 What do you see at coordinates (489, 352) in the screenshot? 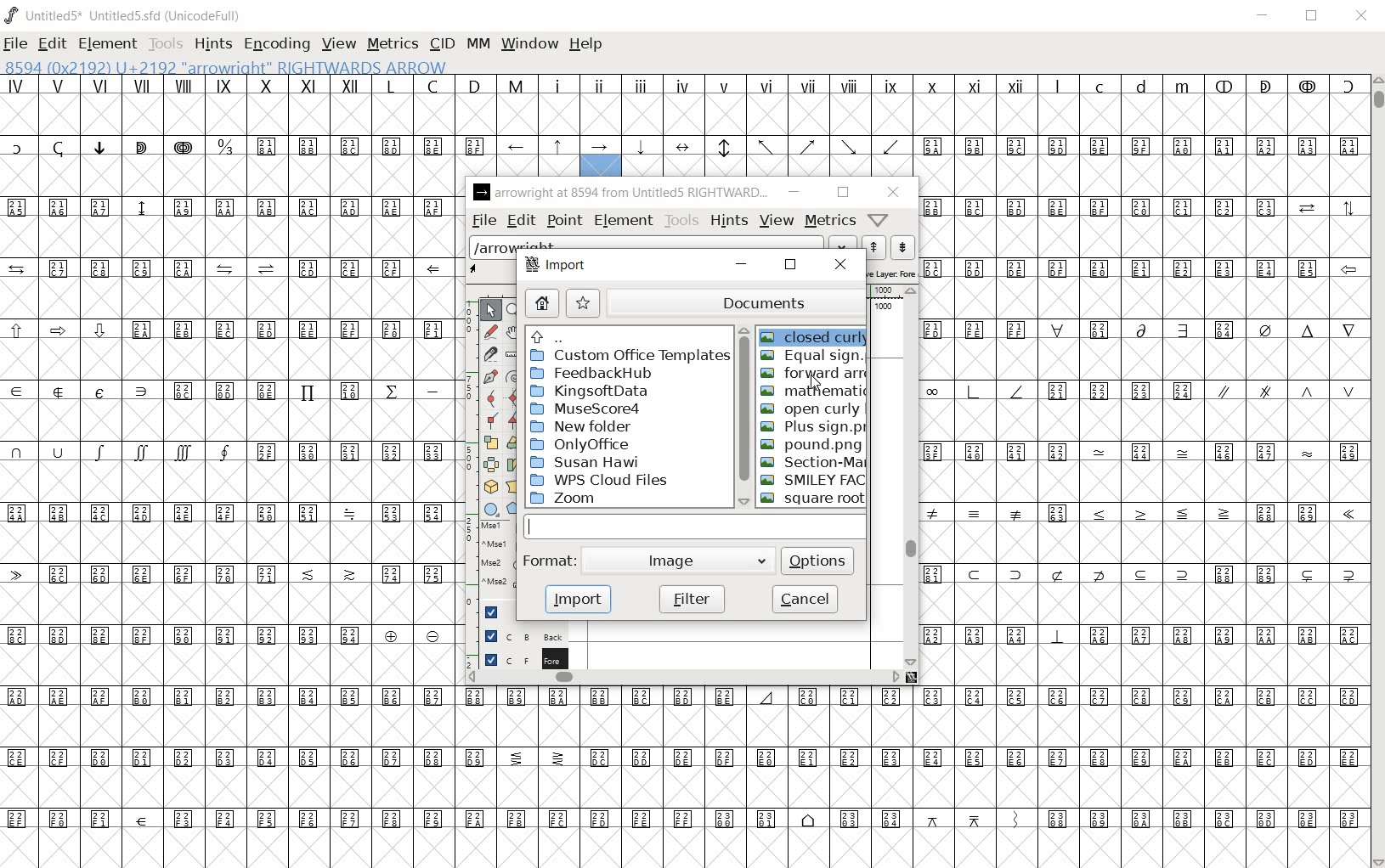
I see `cut splines in two` at bounding box center [489, 352].